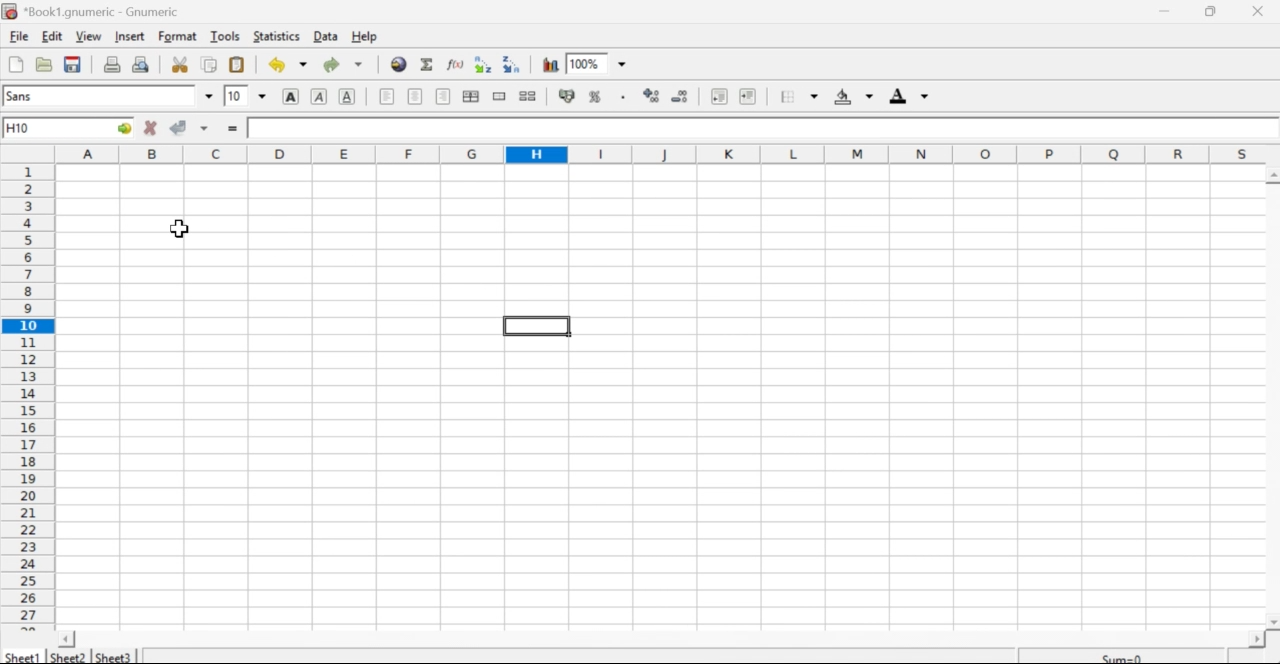 The image size is (1280, 664). I want to click on Icon, so click(684, 95).